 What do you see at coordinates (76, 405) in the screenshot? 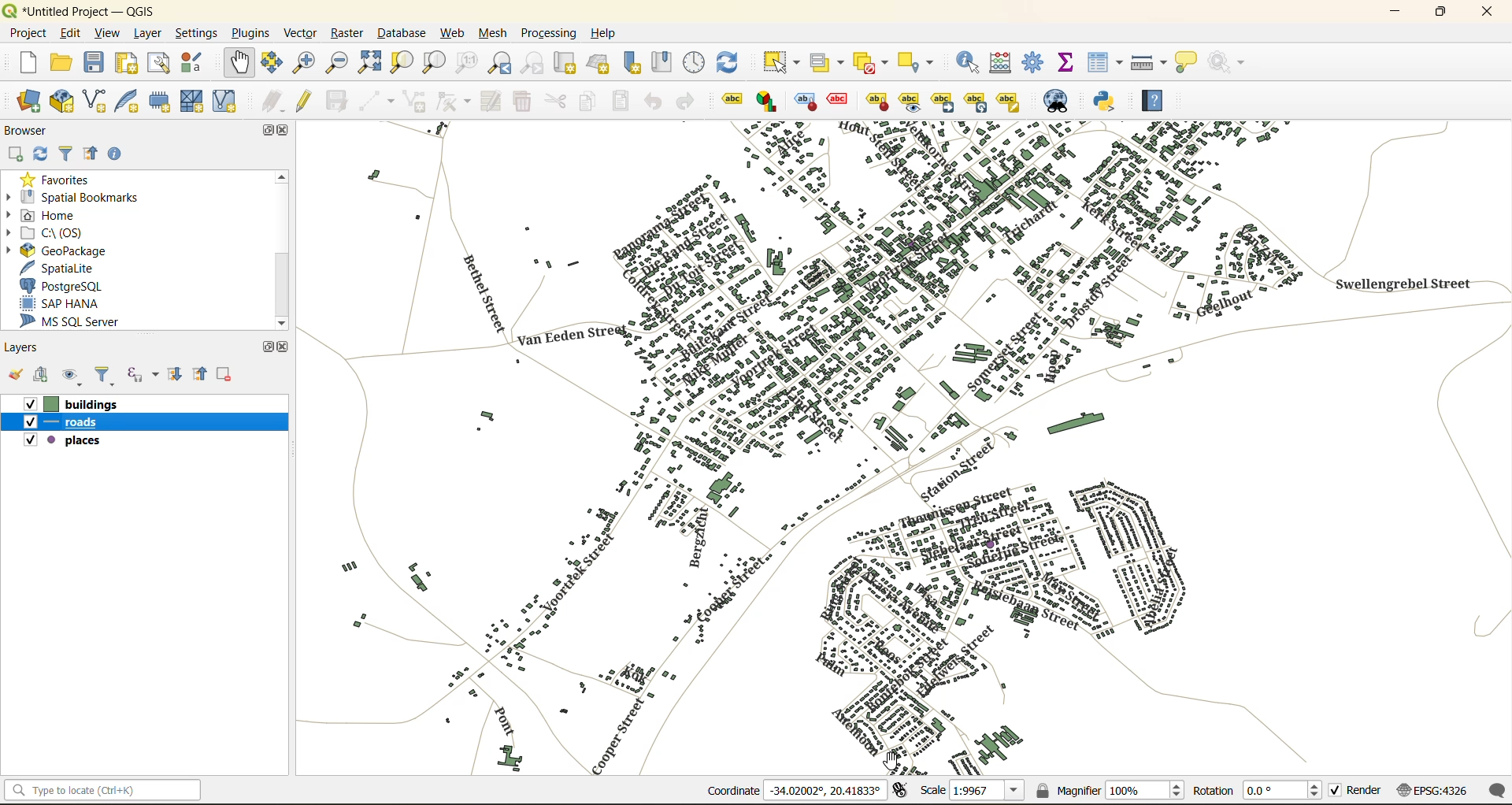
I see `buildings layer` at bounding box center [76, 405].